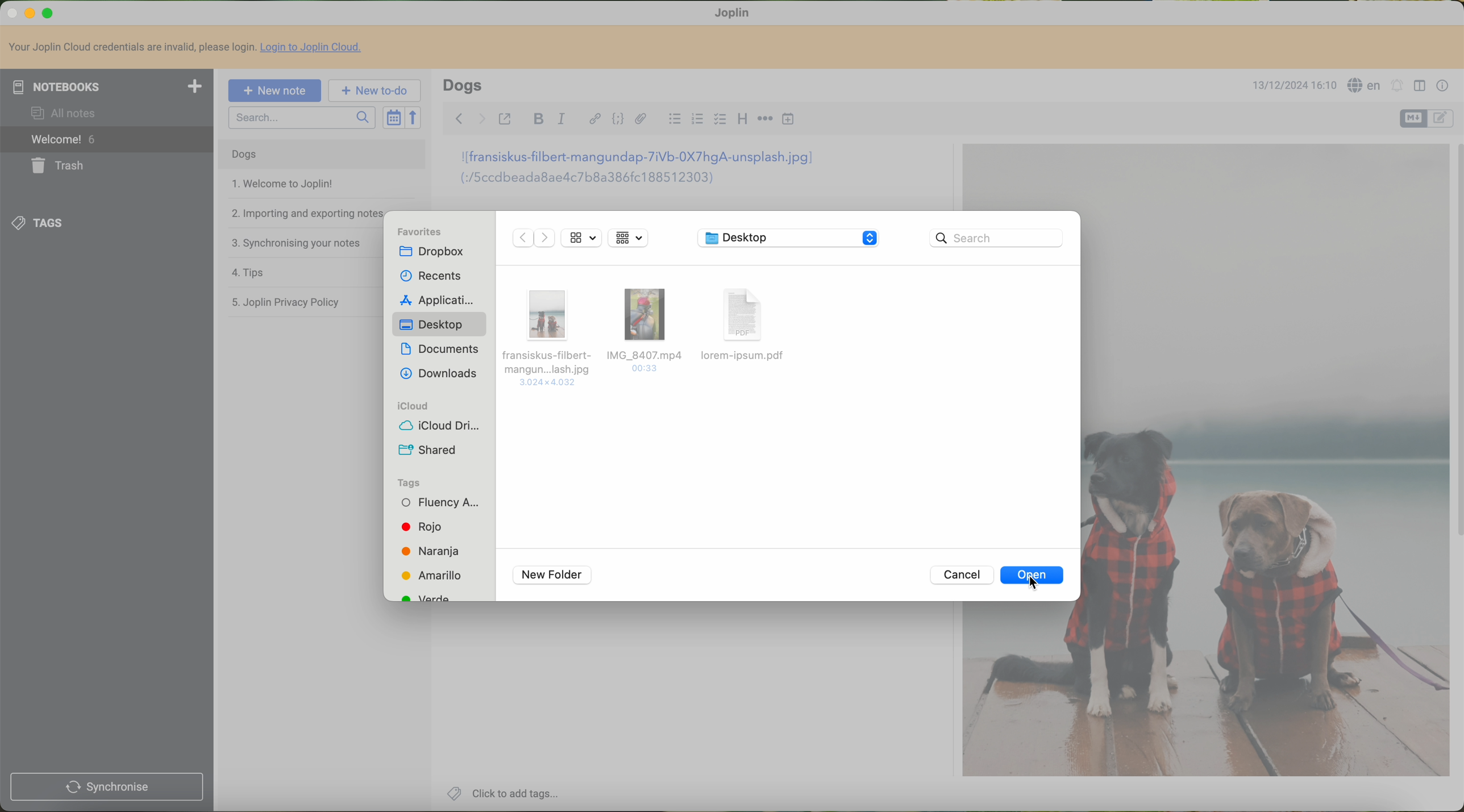 The width and height of the screenshot is (1464, 812). Describe the element at coordinates (107, 787) in the screenshot. I see `synchronise` at that location.